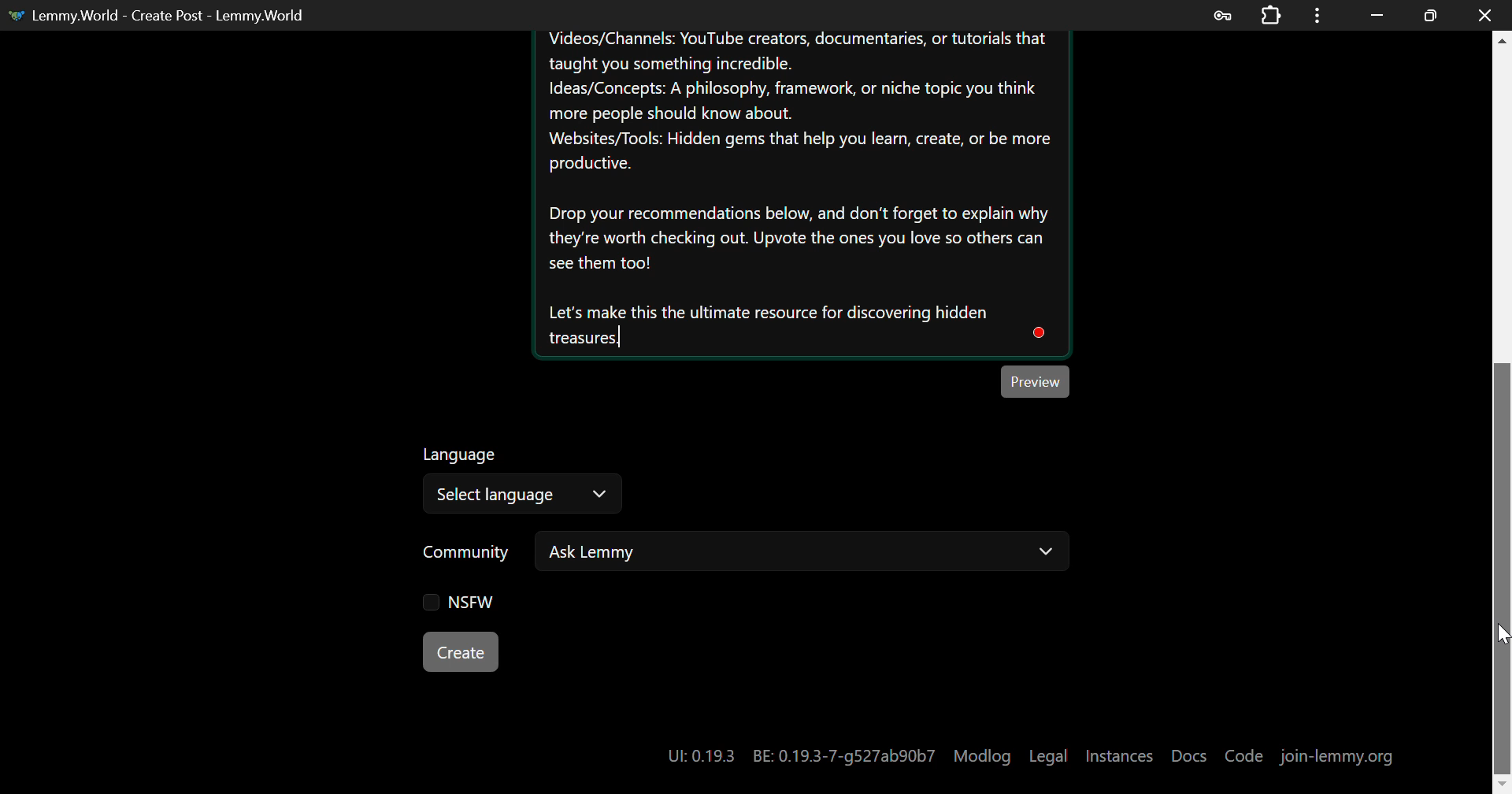 Image resolution: width=1512 pixels, height=794 pixels. I want to click on Community: Ask Lemmy, so click(727, 558).